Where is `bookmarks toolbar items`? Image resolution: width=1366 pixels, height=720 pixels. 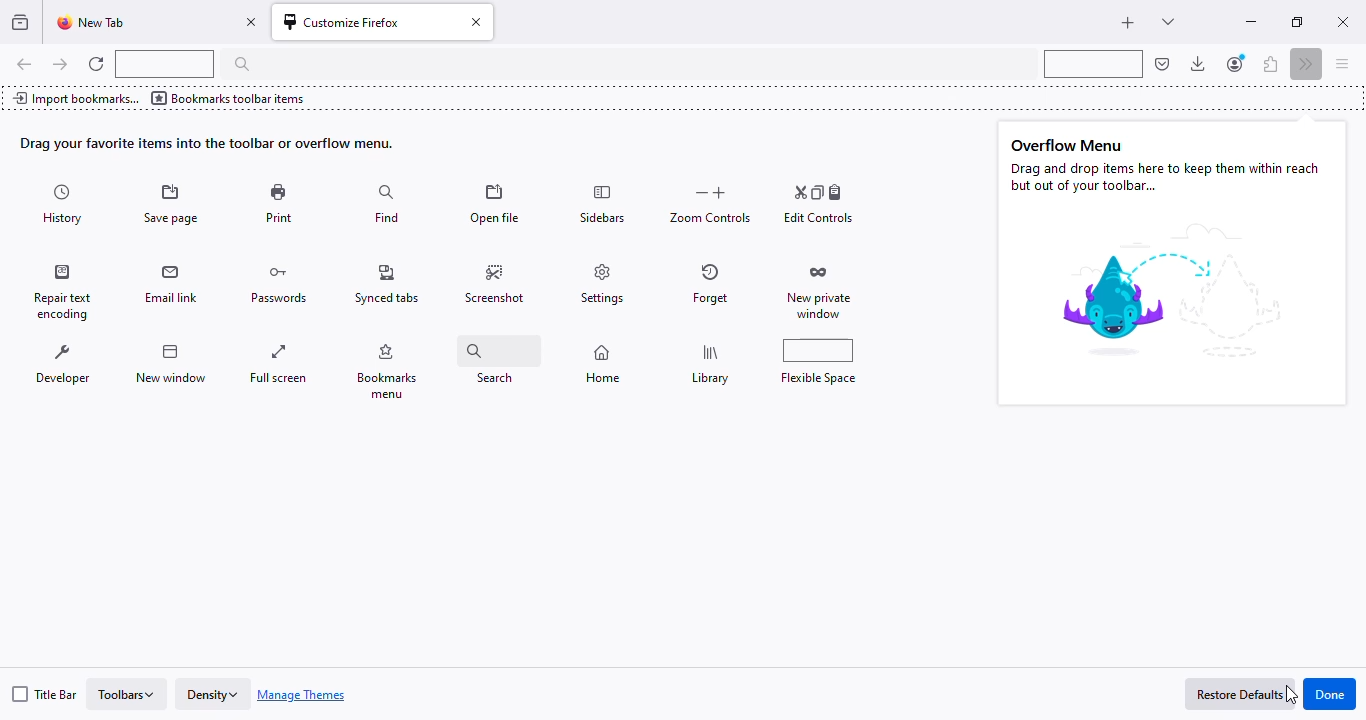 bookmarks toolbar items is located at coordinates (230, 98).